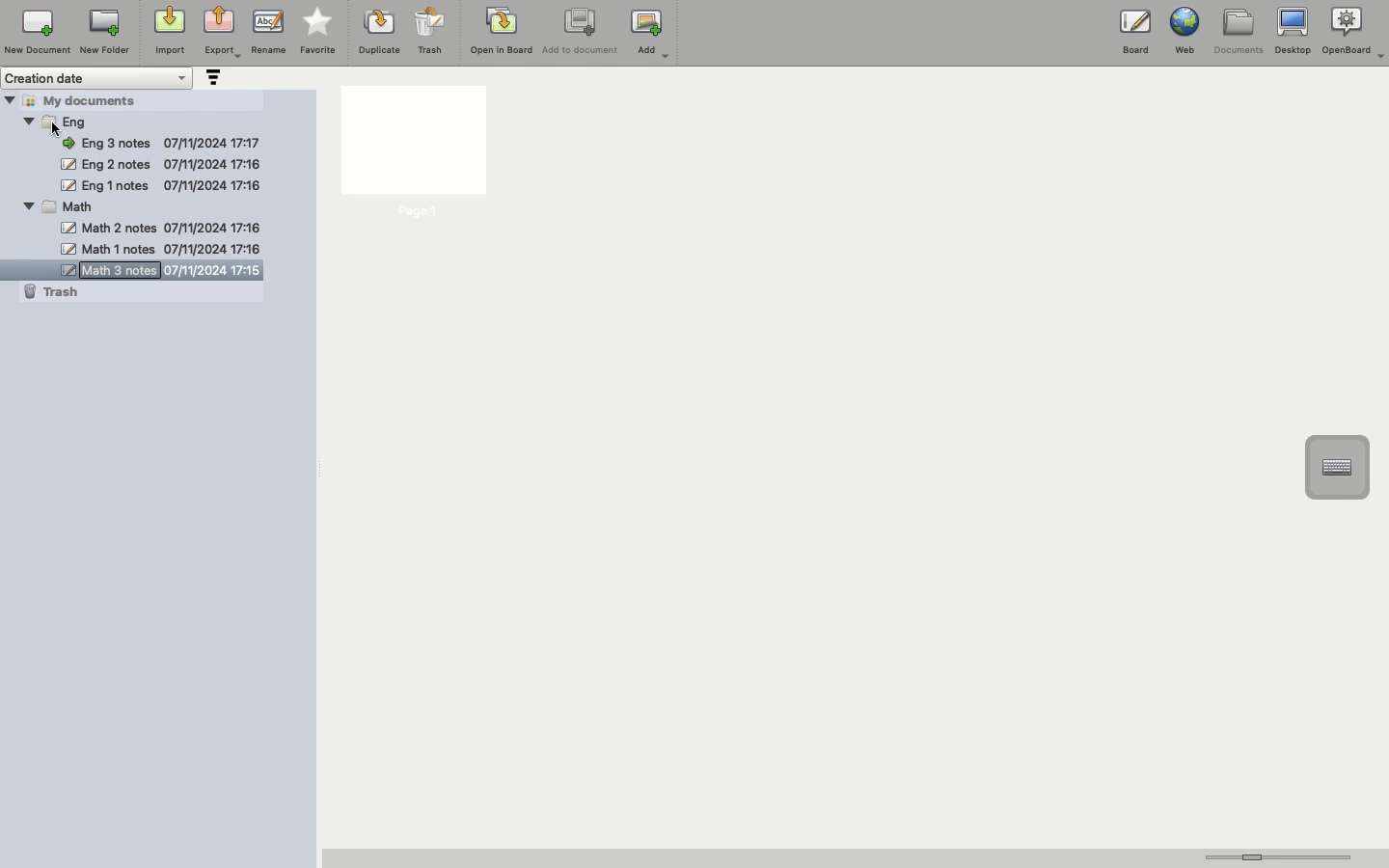  What do you see at coordinates (377, 32) in the screenshot?
I see `Duplicate` at bounding box center [377, 32].